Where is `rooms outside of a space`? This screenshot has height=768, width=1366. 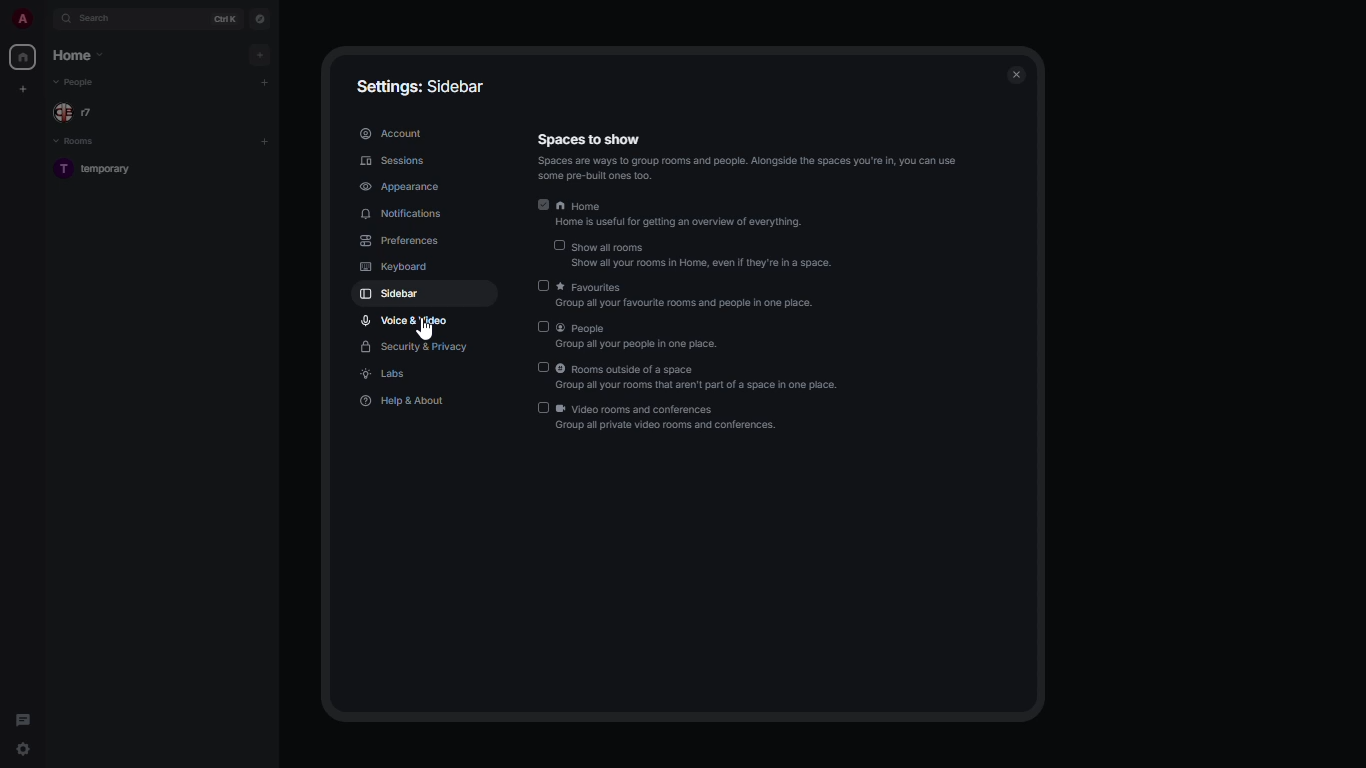
rooms outside of a space is located at coordinates (703, 378).